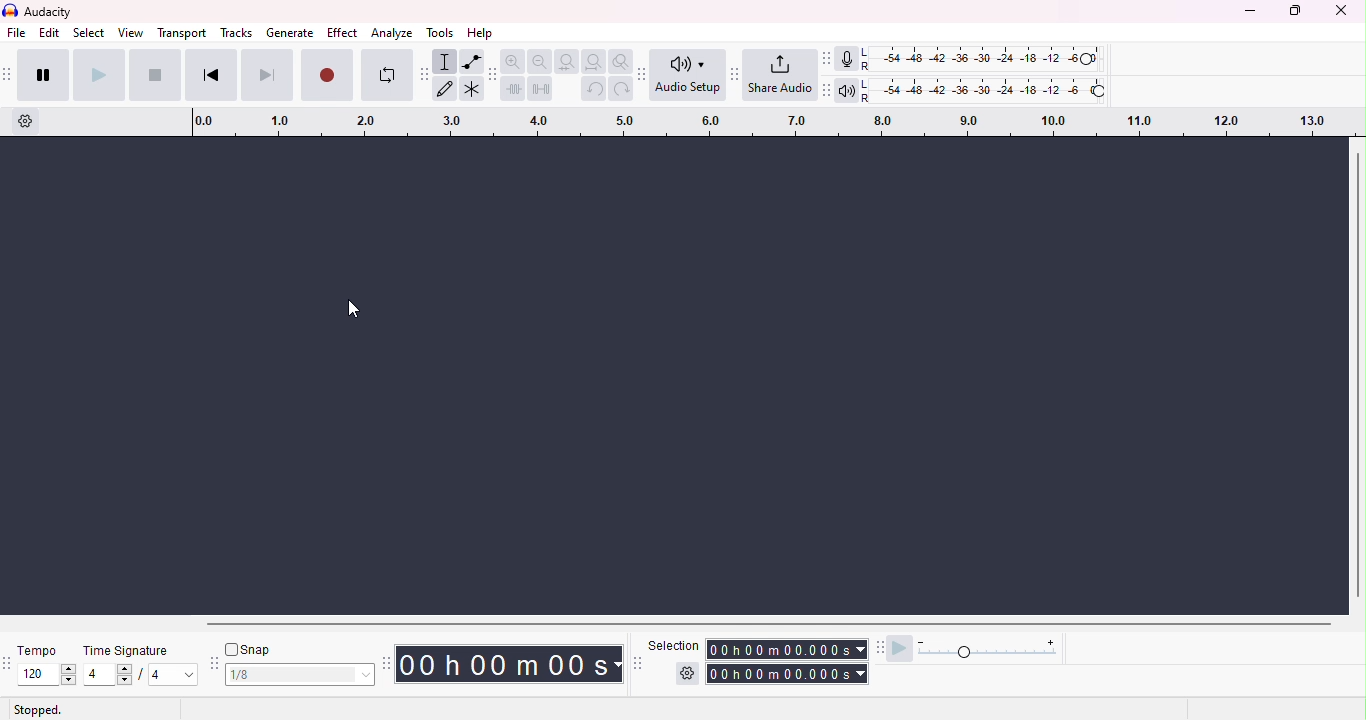 This screenshot has height=720, width=1366. Describe the element at coordinates (154, 76) in the screenshot. I see `stop` at that location.